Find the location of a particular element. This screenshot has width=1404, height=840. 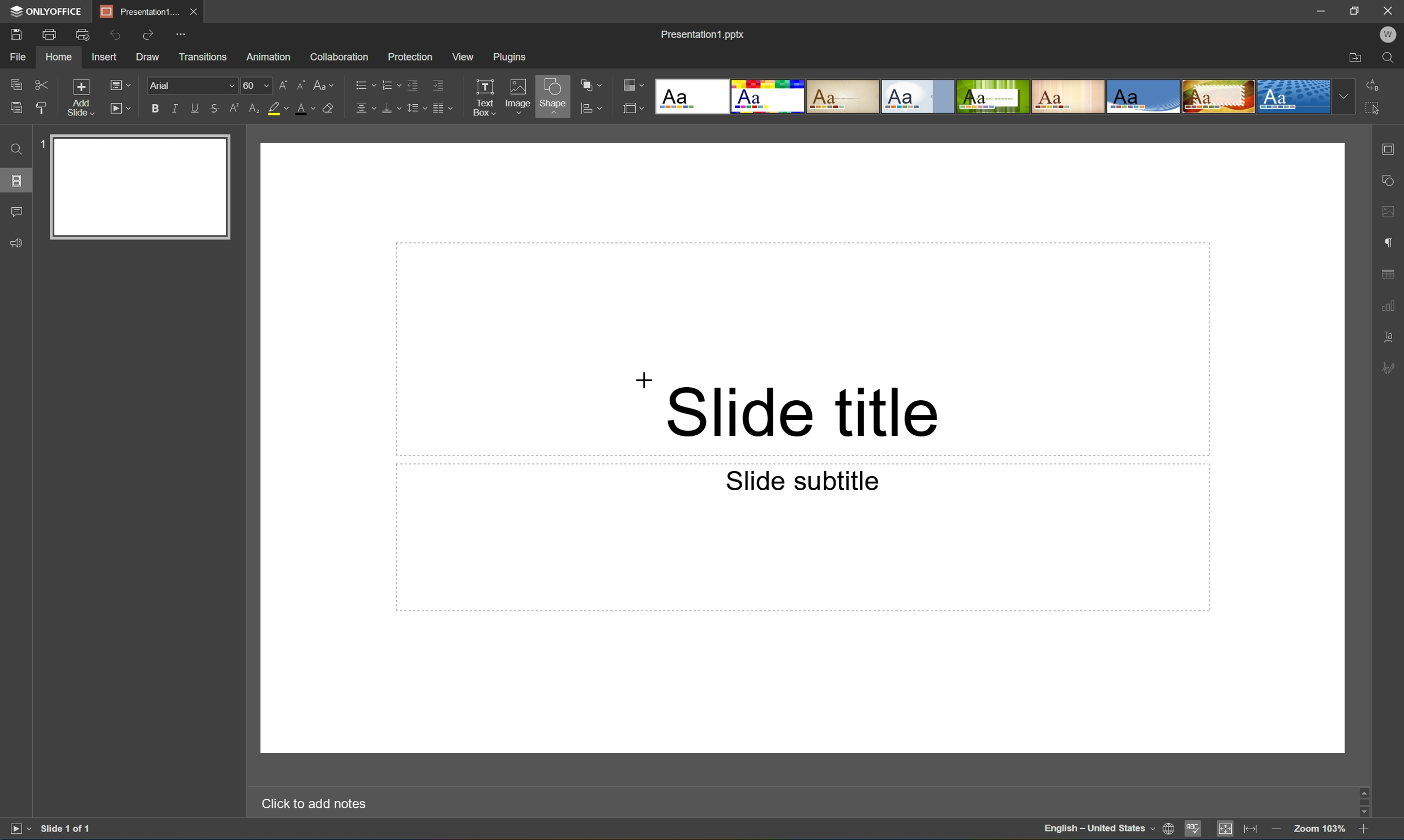

Superscript is located at coordinates (233, 108).